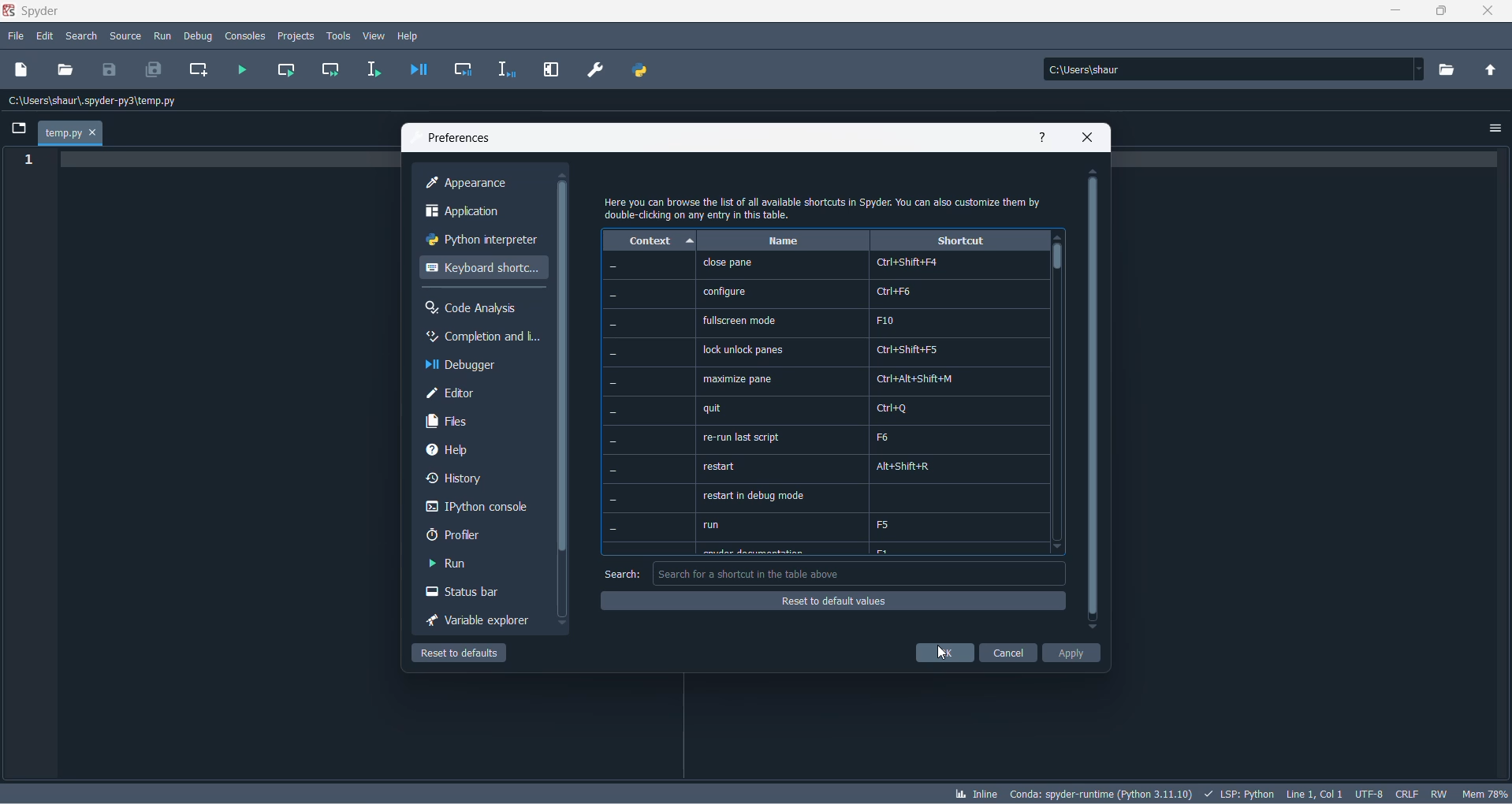  What do you see at coordinates (110, 69) in the screenshot?
I see `save` at bounding box center [110, 69].